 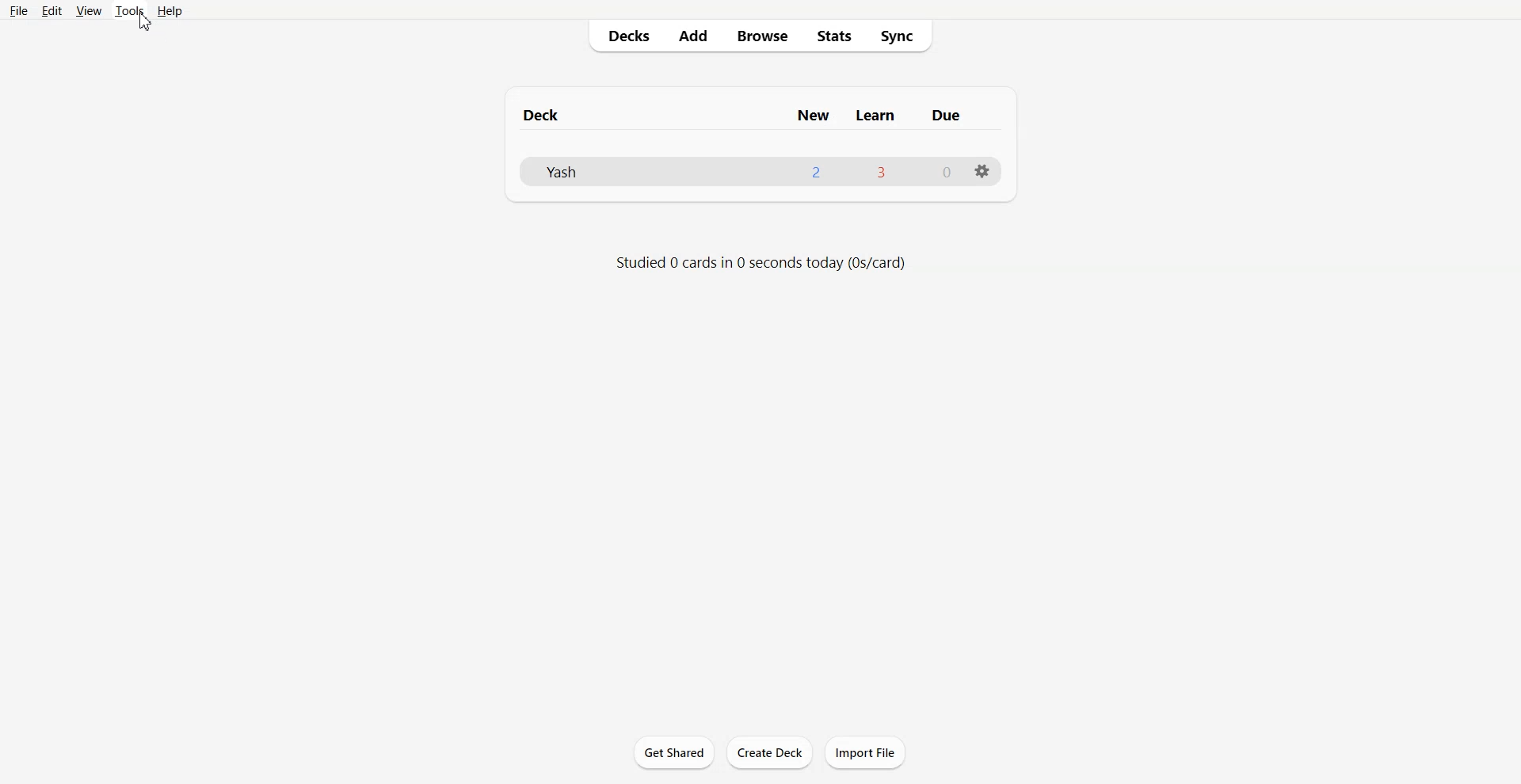 I want to click on Get Shared, so click(x=675, y=752).